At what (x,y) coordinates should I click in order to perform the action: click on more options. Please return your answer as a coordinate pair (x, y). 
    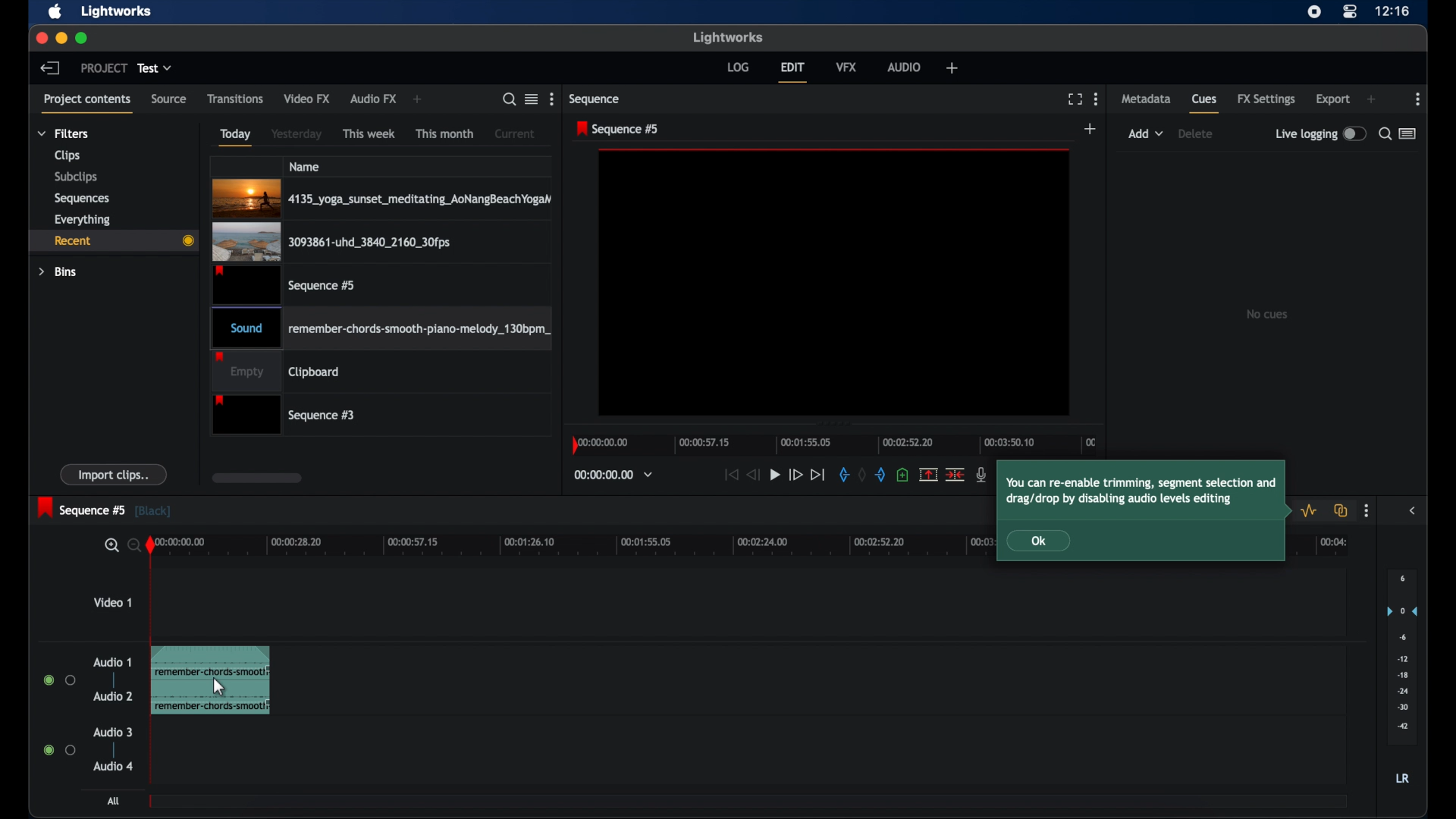
    Looking at the image, I should click on (552, 99).